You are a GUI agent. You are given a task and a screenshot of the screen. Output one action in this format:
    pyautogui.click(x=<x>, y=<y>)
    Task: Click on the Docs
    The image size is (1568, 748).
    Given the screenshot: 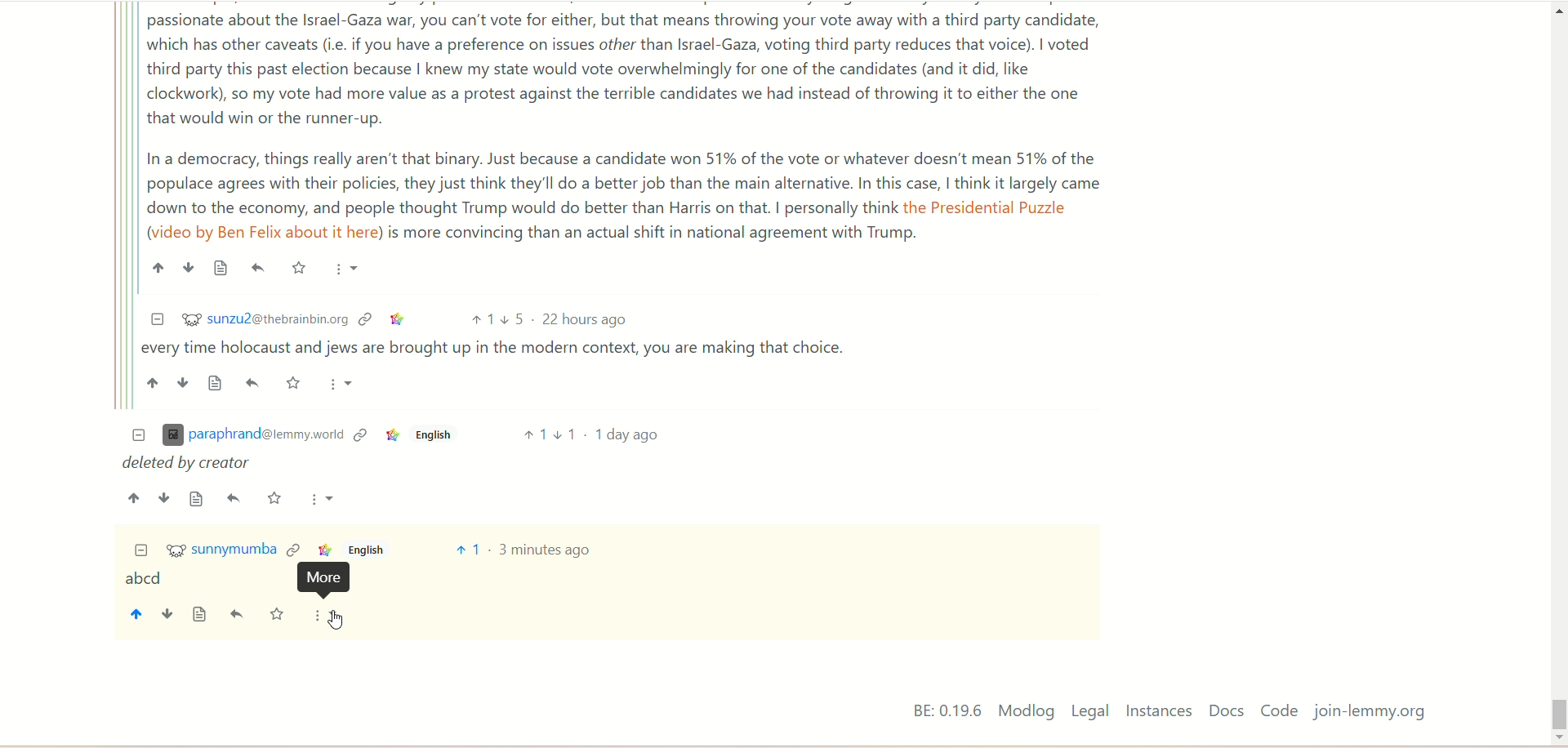 What is the action you would take?
    pyautogui.click(x=1228, y=710)
    